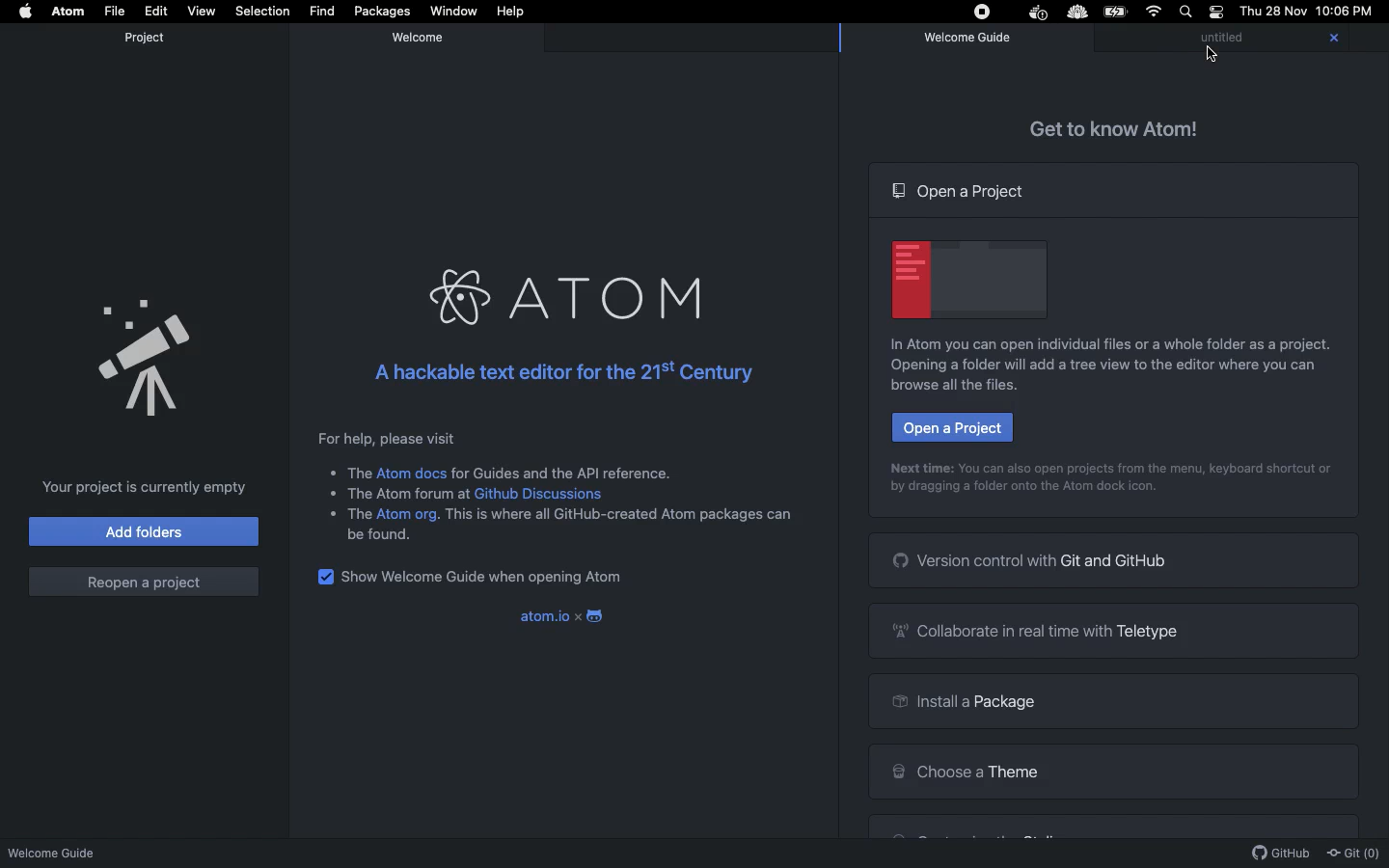 Image resolution: width=1389 pixels, height=868 pixels. What do you see at coordinates (1102, 366) in the screenshot?
I see `Instructional text` at bounding box center [1102, 366].